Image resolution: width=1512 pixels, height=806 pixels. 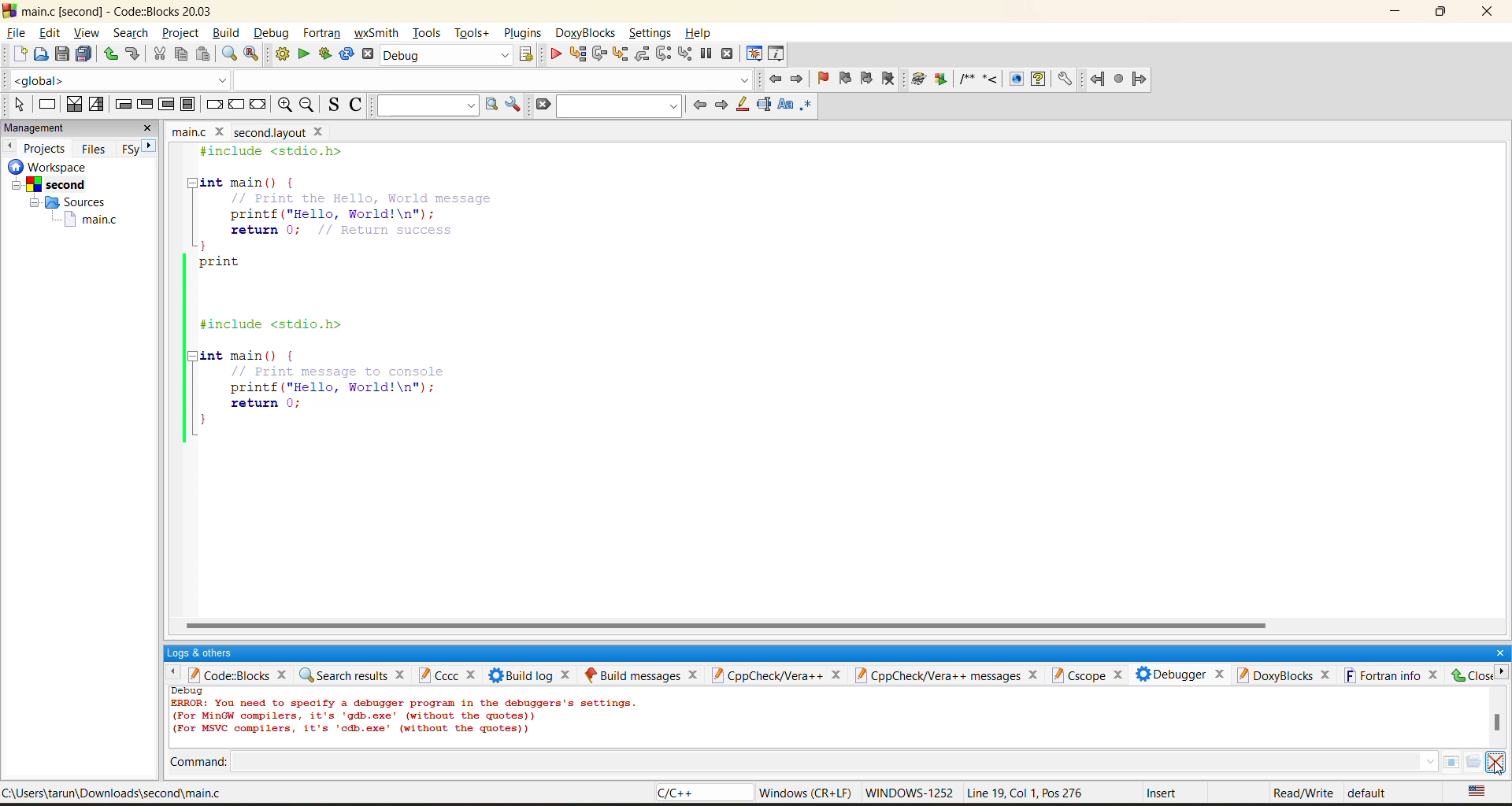 I want to click on decision, so click(x=72, y=104).